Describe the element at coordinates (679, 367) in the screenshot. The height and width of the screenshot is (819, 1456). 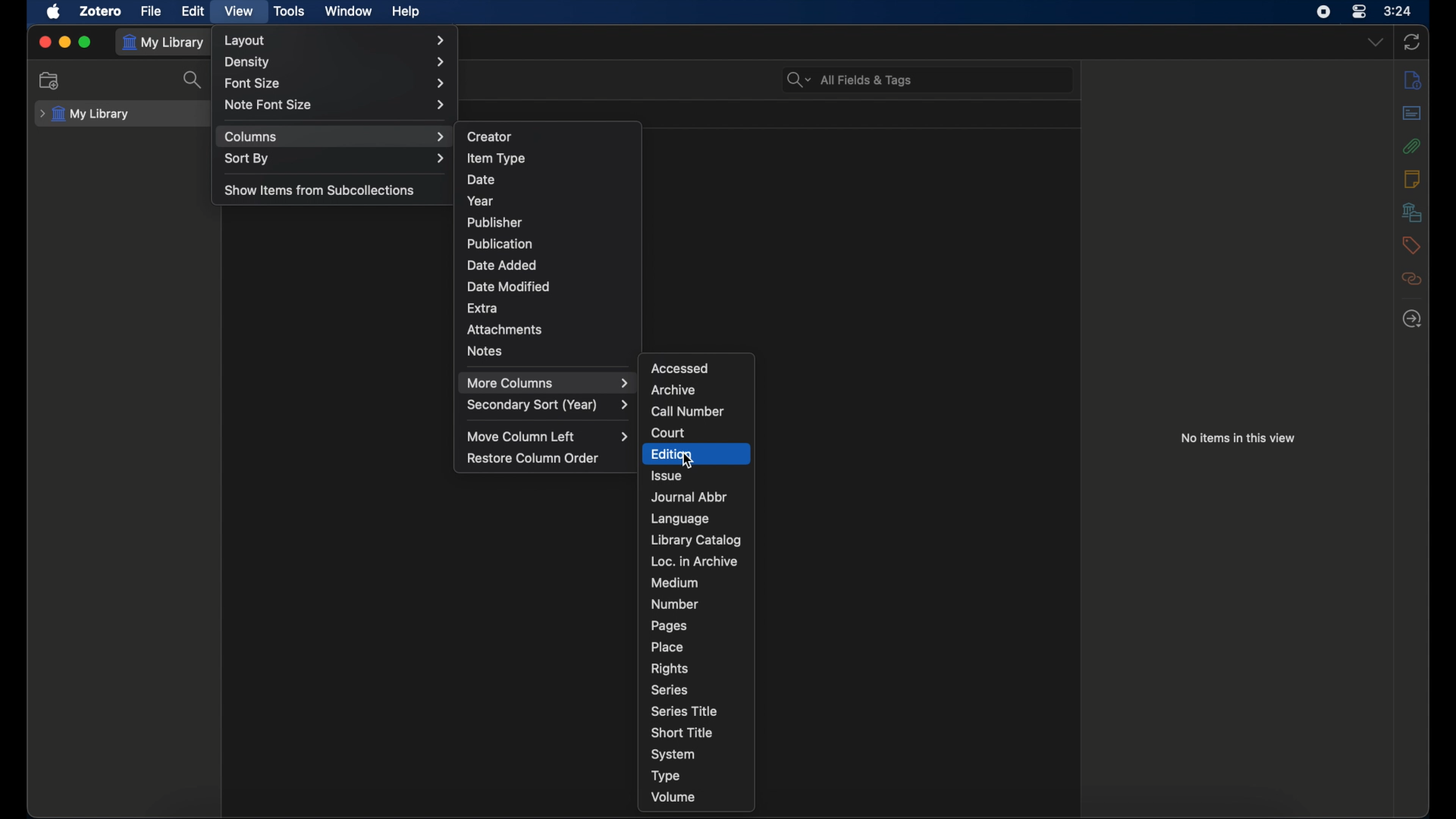
I see `accessed` at that location.